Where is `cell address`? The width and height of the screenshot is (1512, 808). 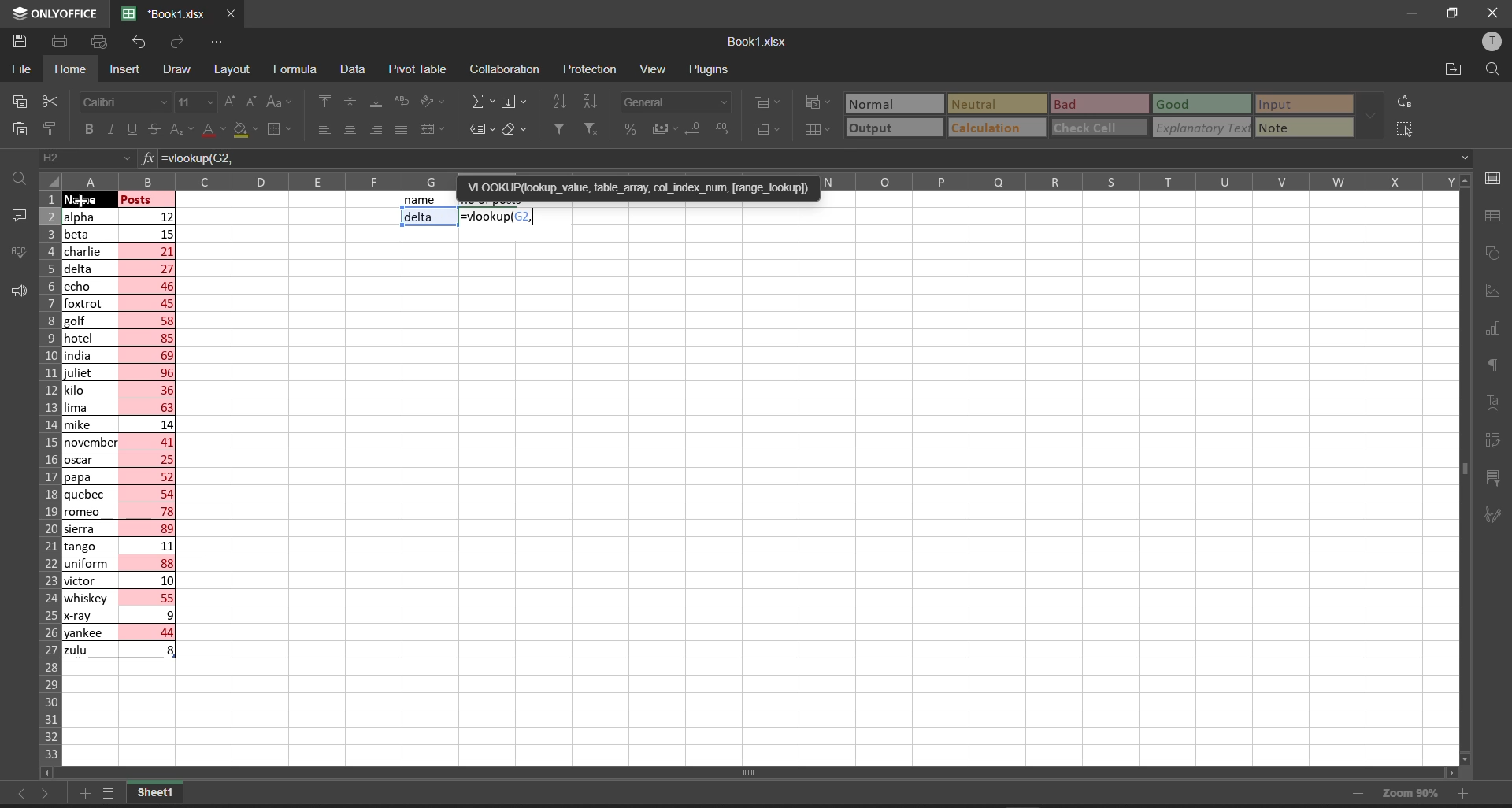
cell address is located at coordinates (84, 159).